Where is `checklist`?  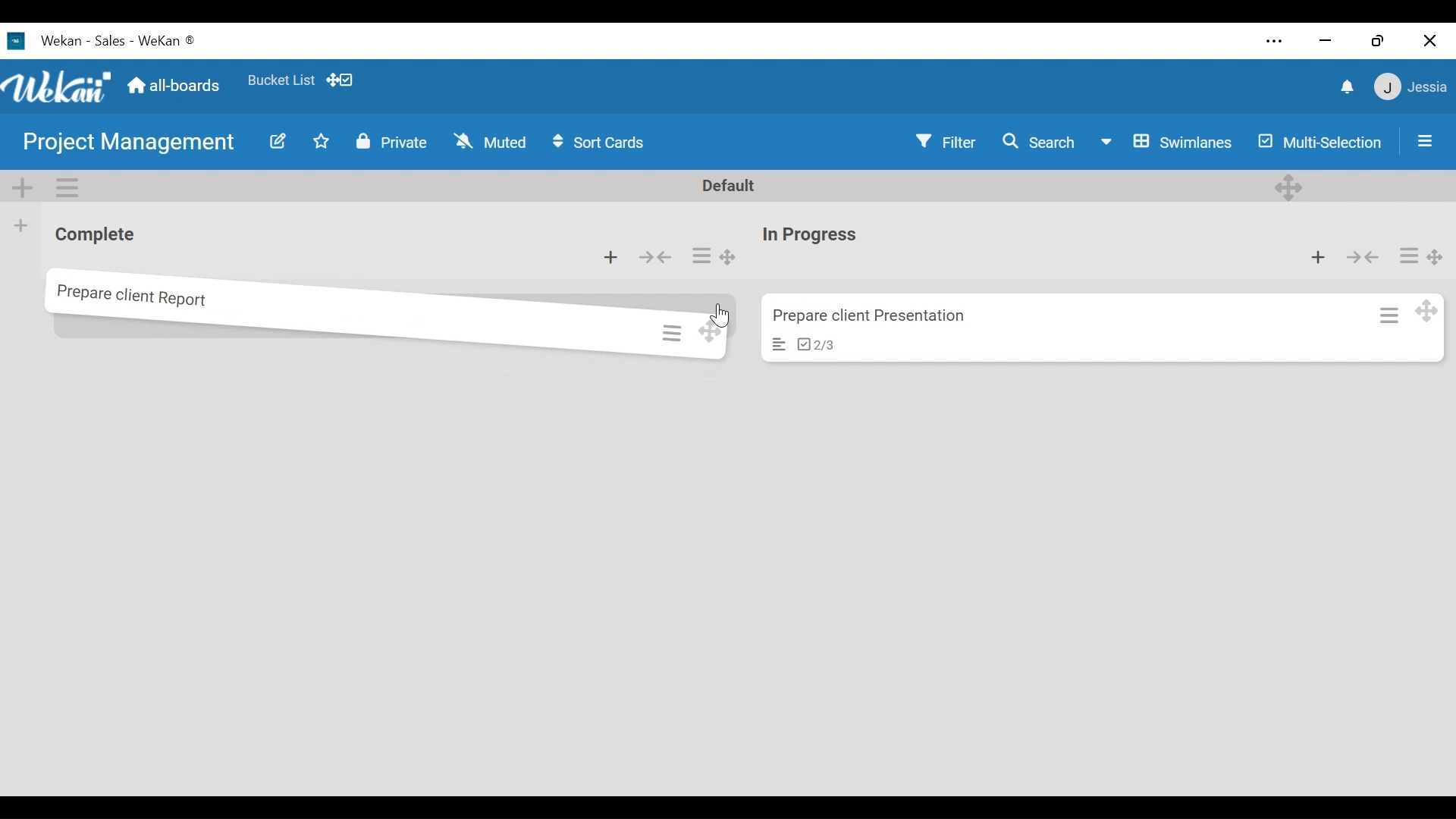
checklist is located at coordinates (816, 344).